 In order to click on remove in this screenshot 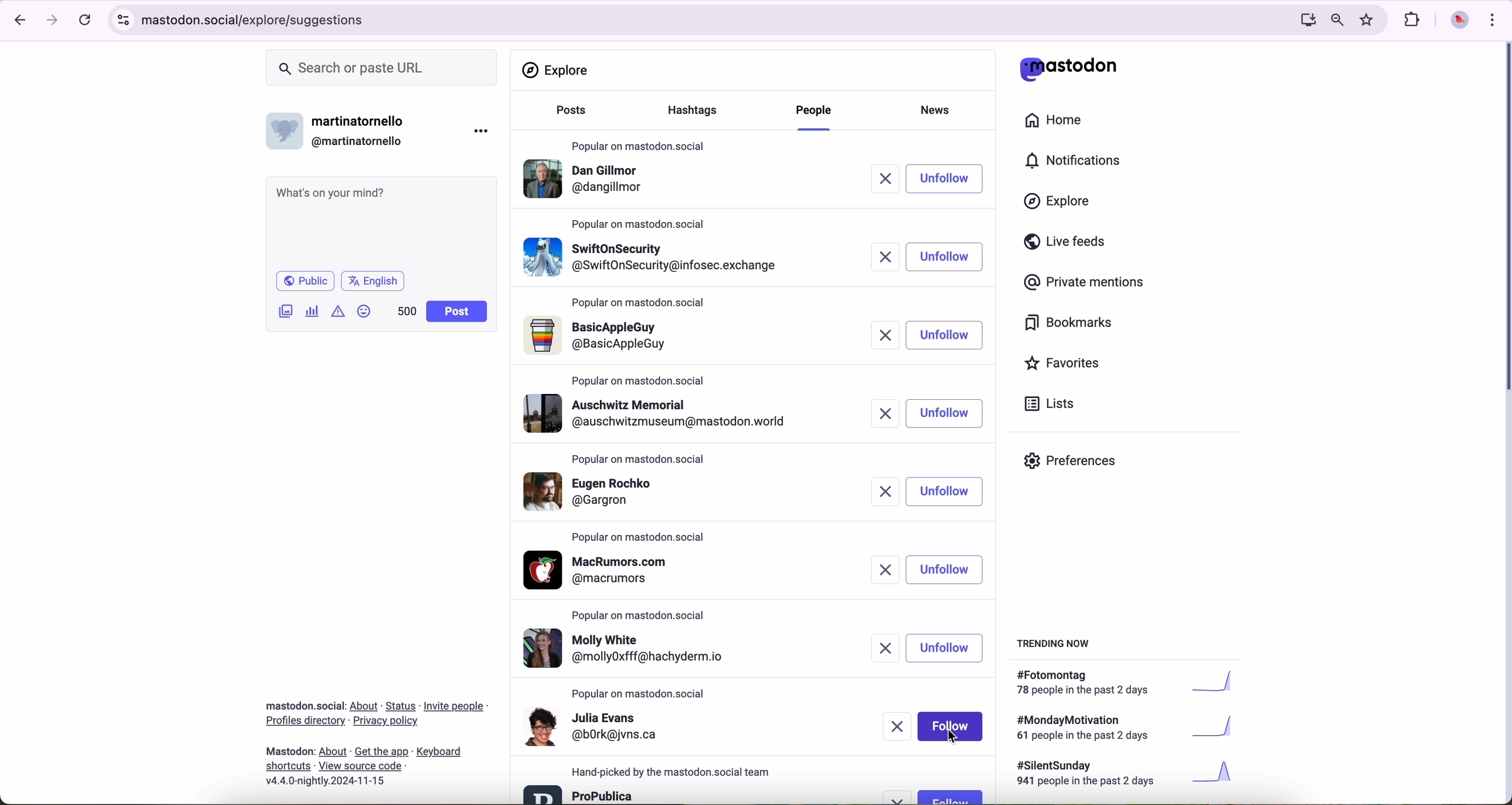, I will do `click(887, 256)`.